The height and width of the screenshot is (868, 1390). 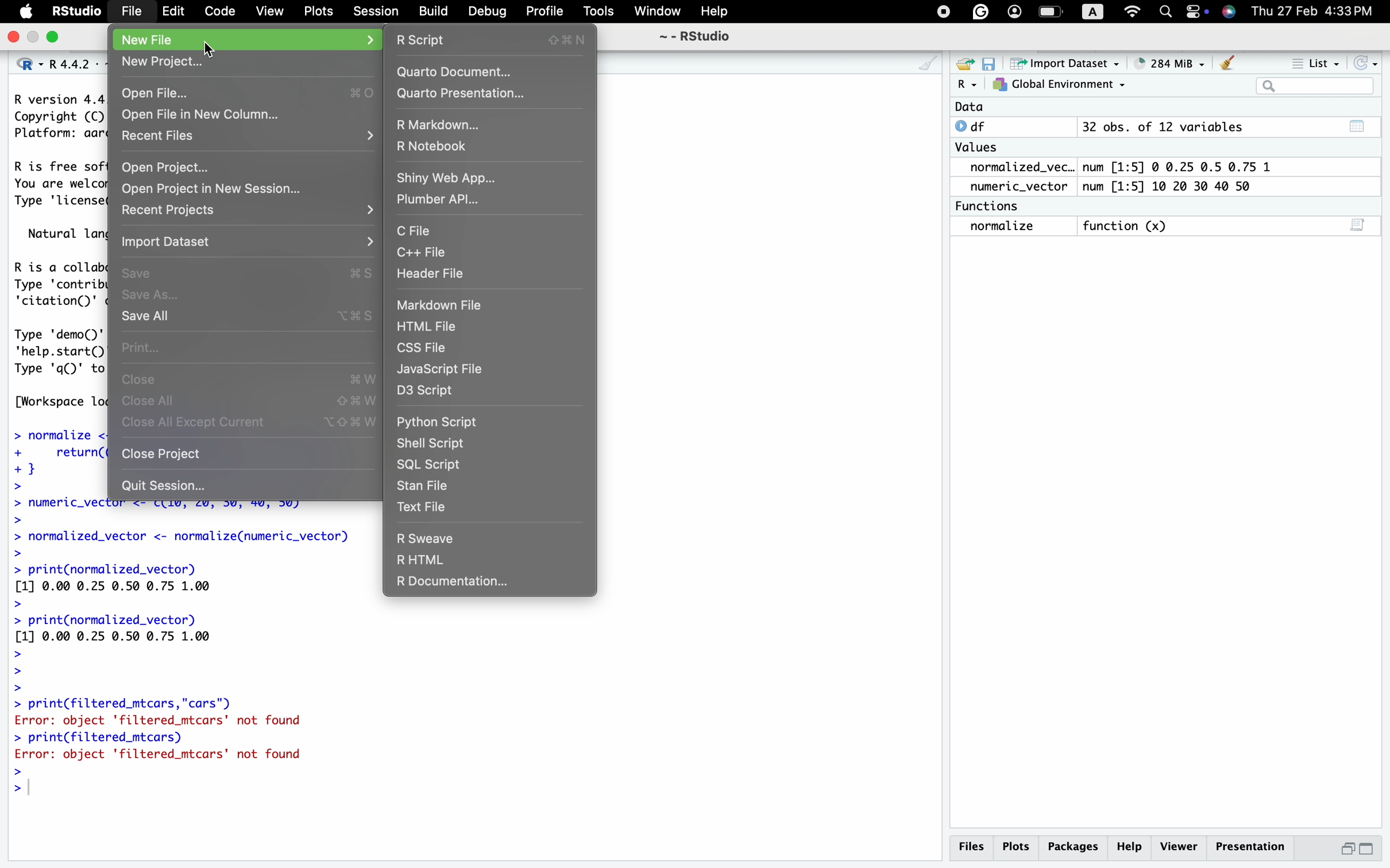 I want to click on R Documentation..., so click(x=451, y=584).